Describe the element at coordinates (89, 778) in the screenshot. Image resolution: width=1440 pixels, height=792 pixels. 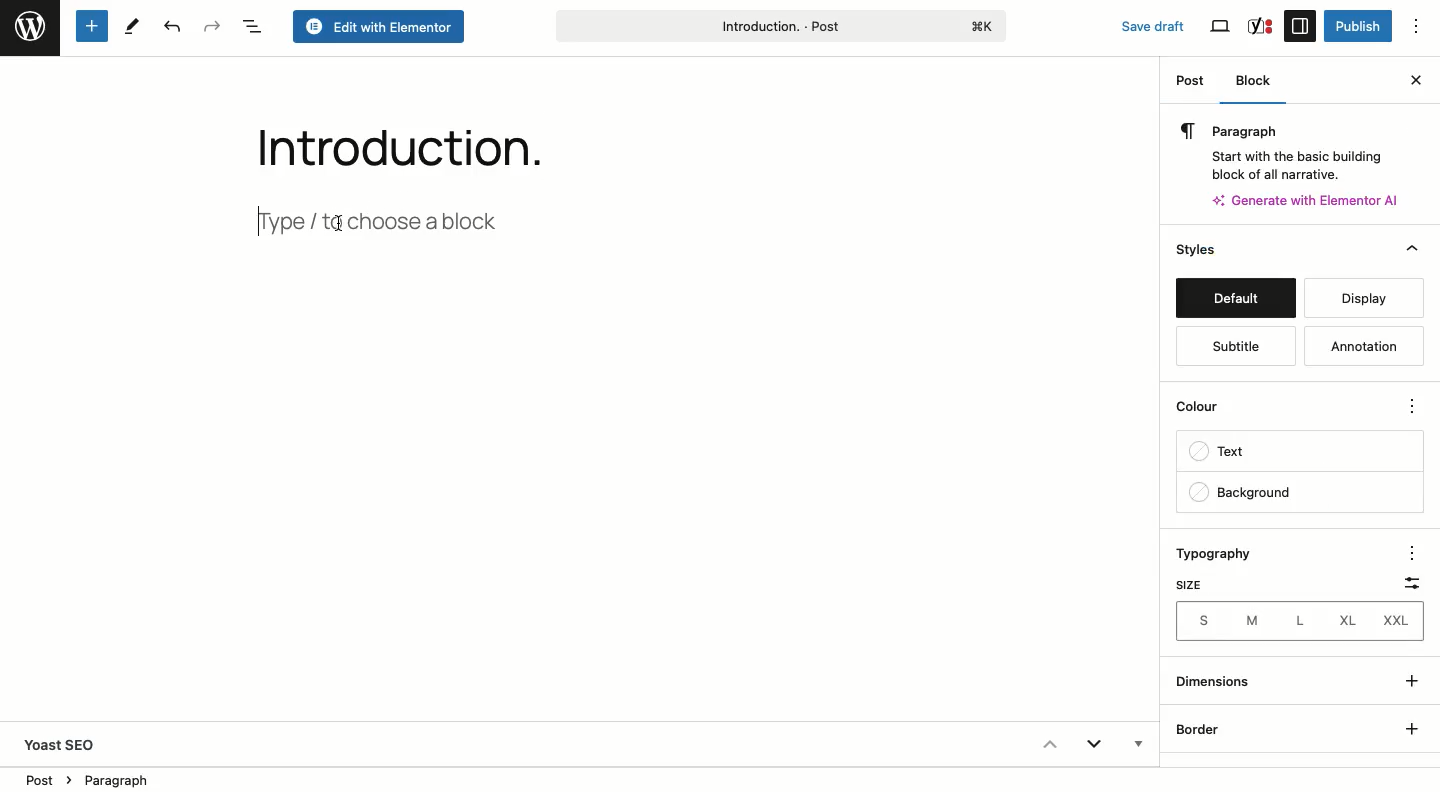
I see `Post > Paragraph` at that location.